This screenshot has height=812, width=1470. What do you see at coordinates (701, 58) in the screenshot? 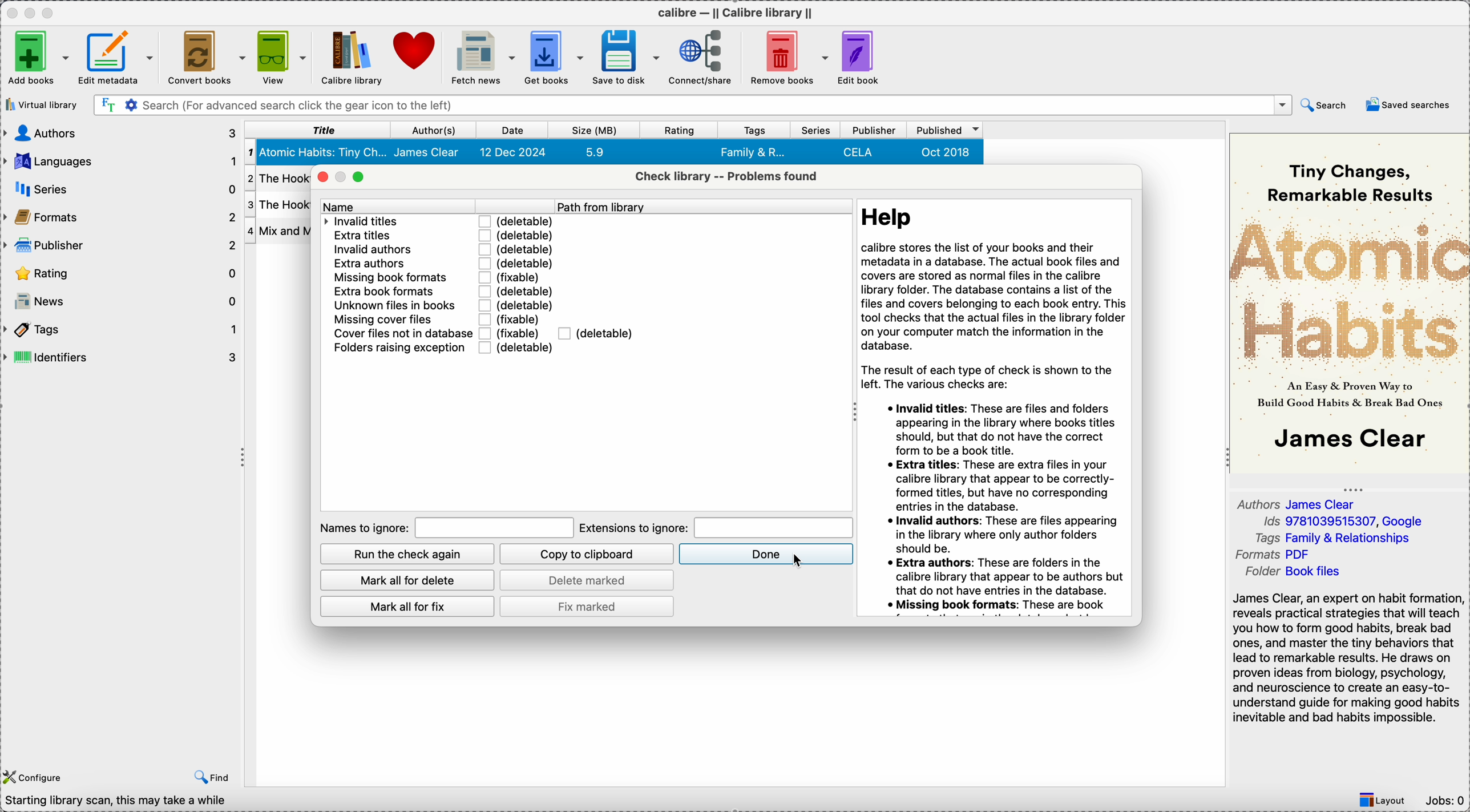
I see `connect/share` at bounding box center [701, 58].